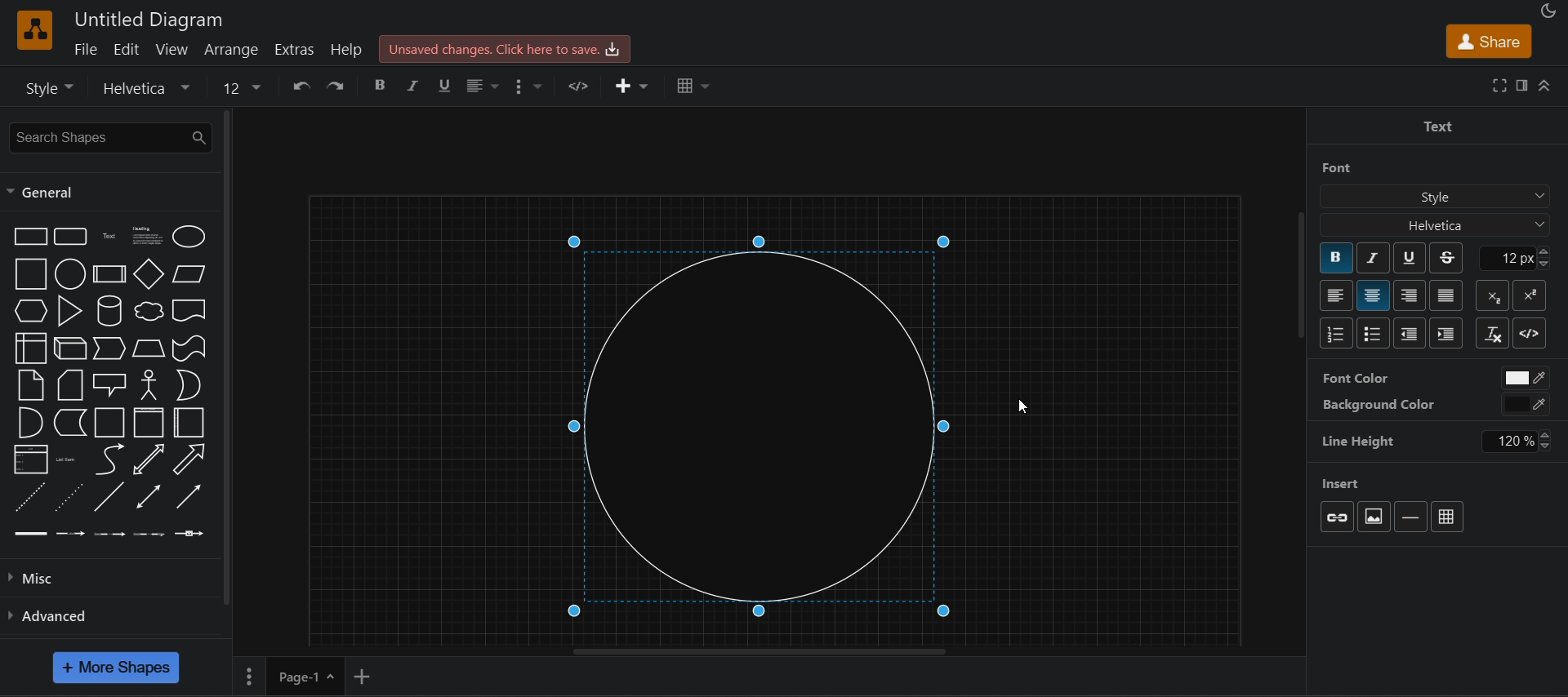 The width and height of the screenshot is (1568, 697). What do you see at coordinates (1548, 87) in the screenshot?
I see `collapase/expand` at bounding box center [1548, 87].